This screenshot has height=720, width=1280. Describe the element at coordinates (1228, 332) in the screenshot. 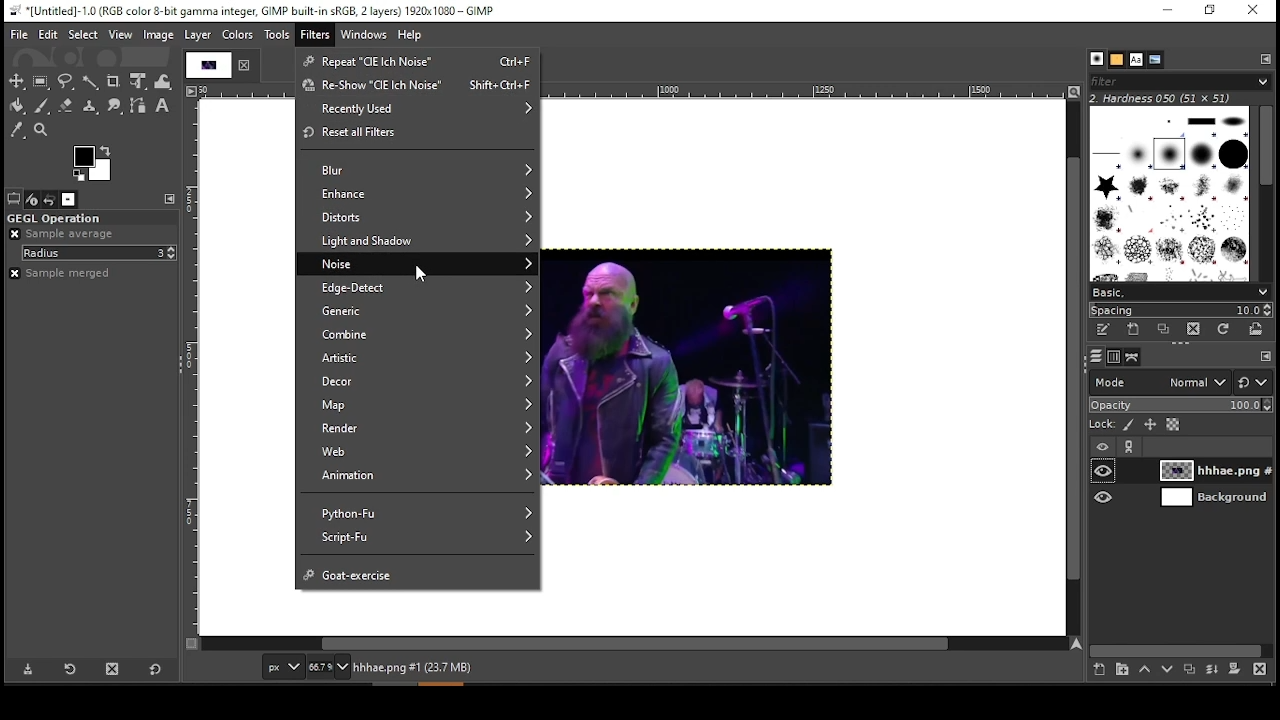

I see `refresh brushes` at that location.